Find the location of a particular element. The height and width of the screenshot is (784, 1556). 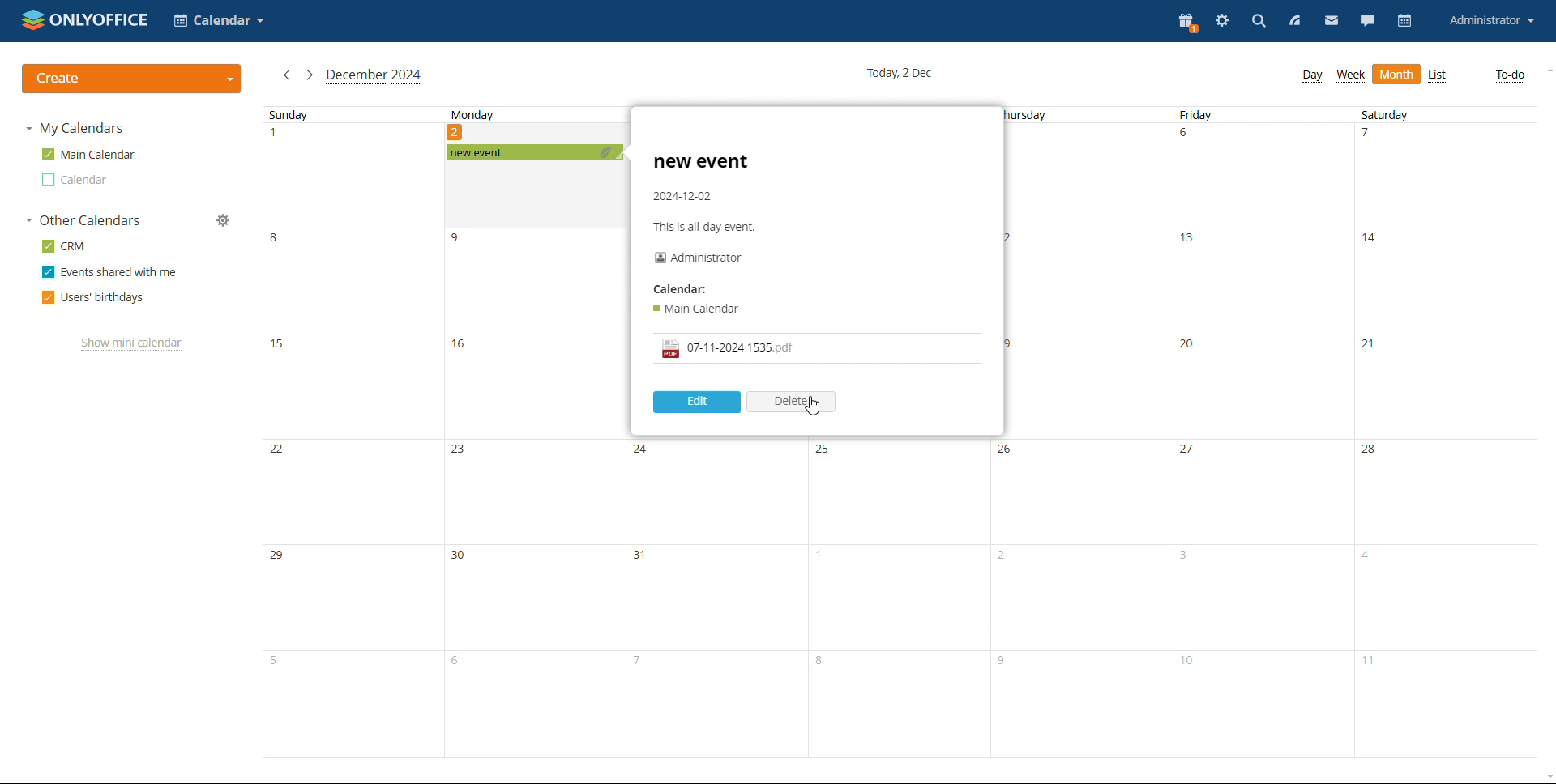

25 is located at coordinates (822, 450).